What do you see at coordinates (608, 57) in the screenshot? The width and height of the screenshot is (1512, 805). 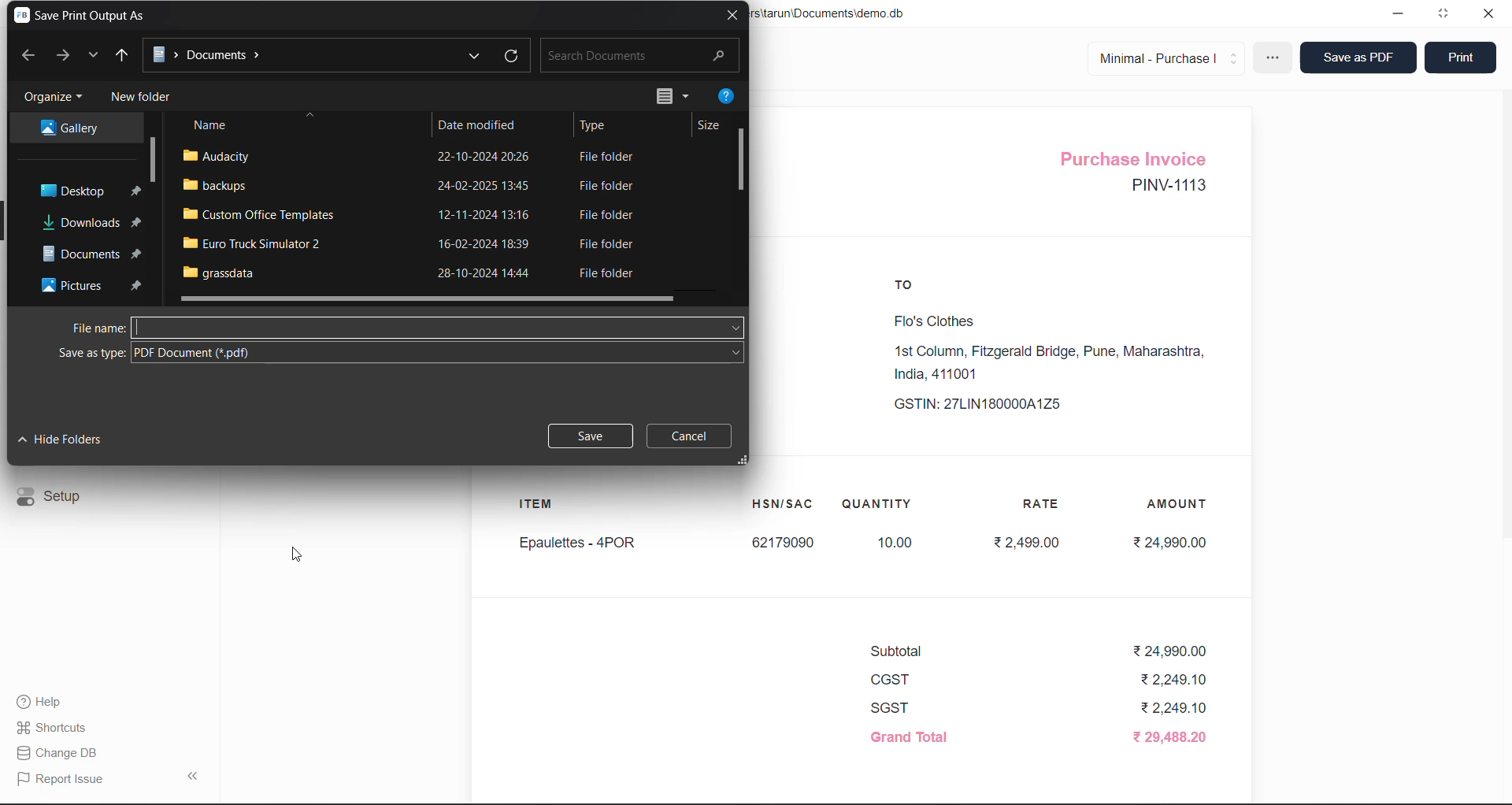 I see `Search Documents` at bounding box center [608, 57].